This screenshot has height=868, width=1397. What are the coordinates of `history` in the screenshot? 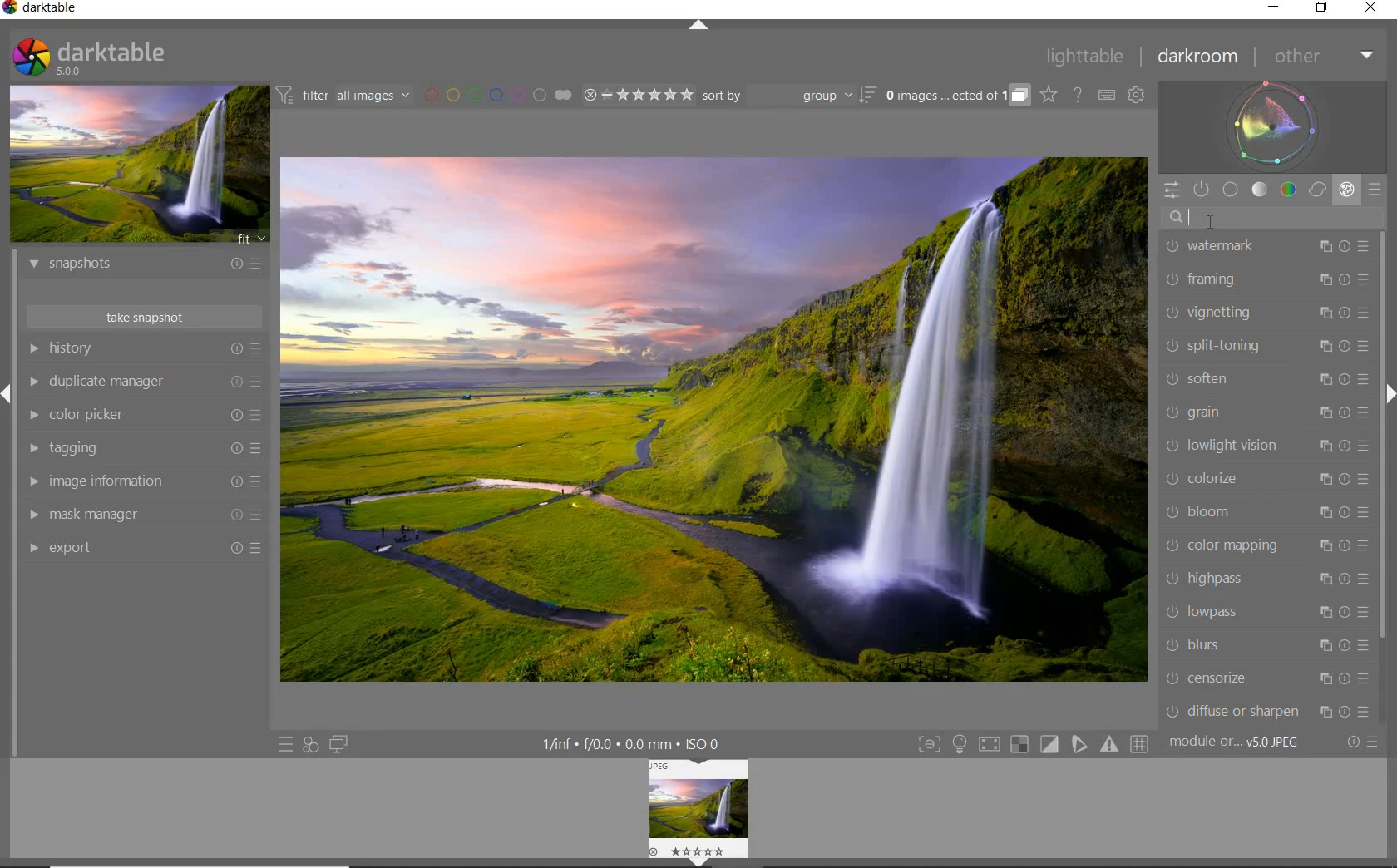 It's located at (144, 348).